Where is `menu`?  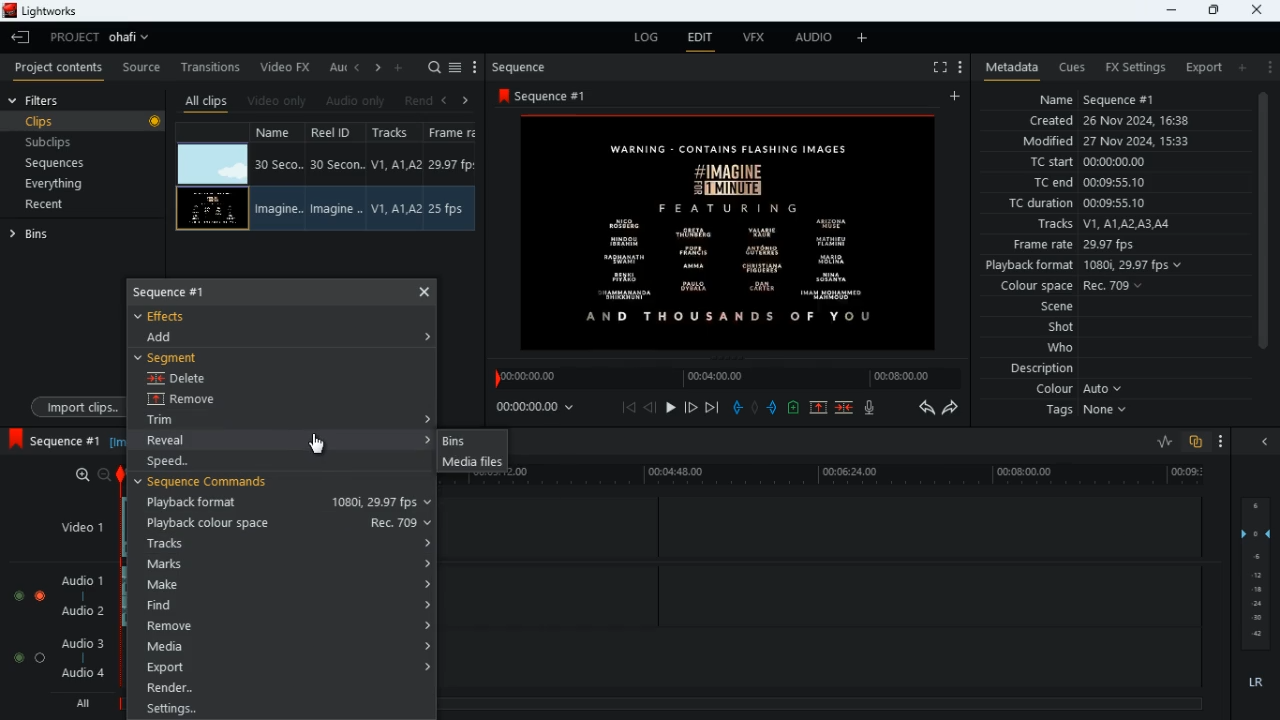
menu is located at coordinates (457, 65).